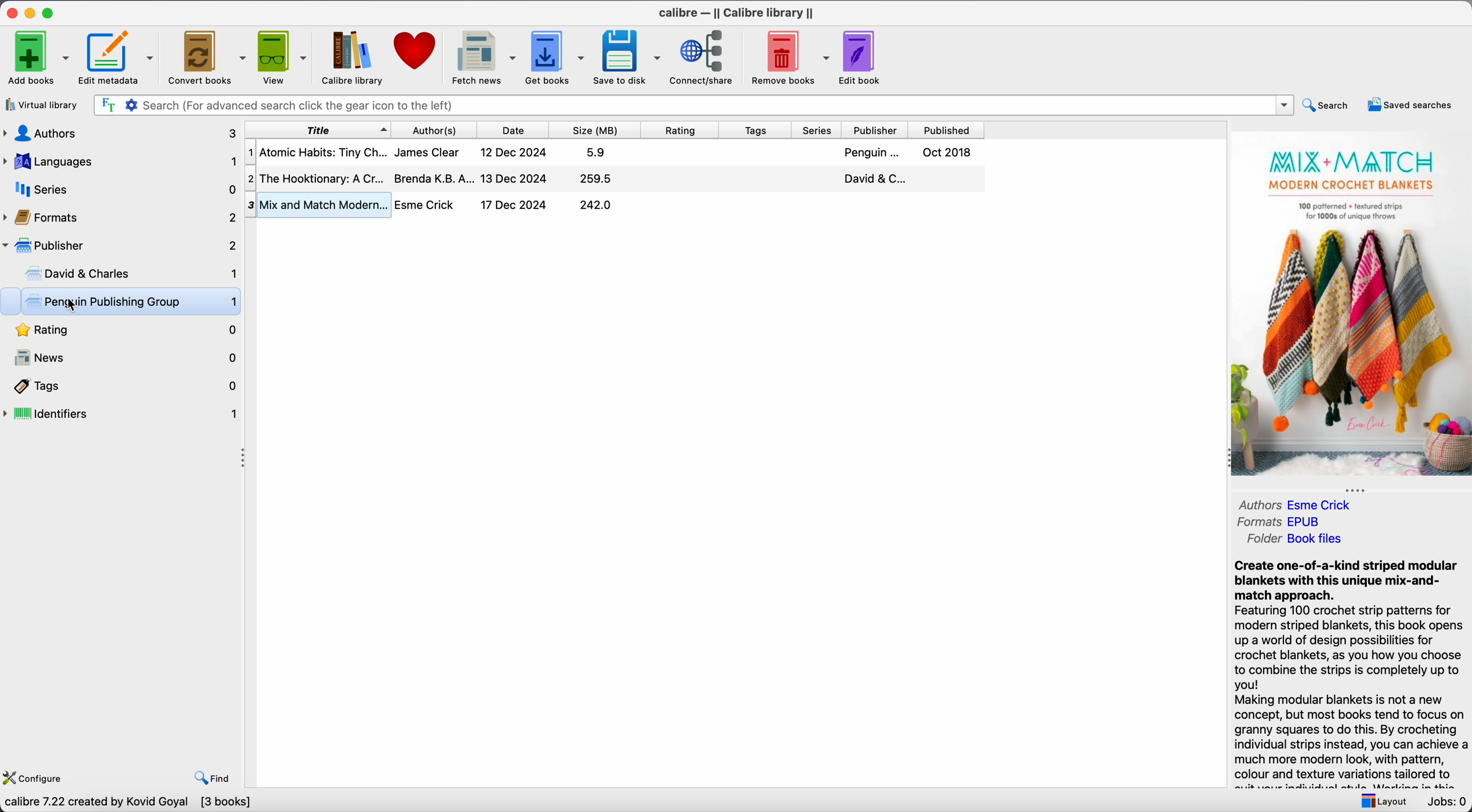 The height and width of the screenshot is (812, 1472). What do you see at coordinates (38, 56) in the screenshot?
I see `add books` at bounding box center [38, 56].